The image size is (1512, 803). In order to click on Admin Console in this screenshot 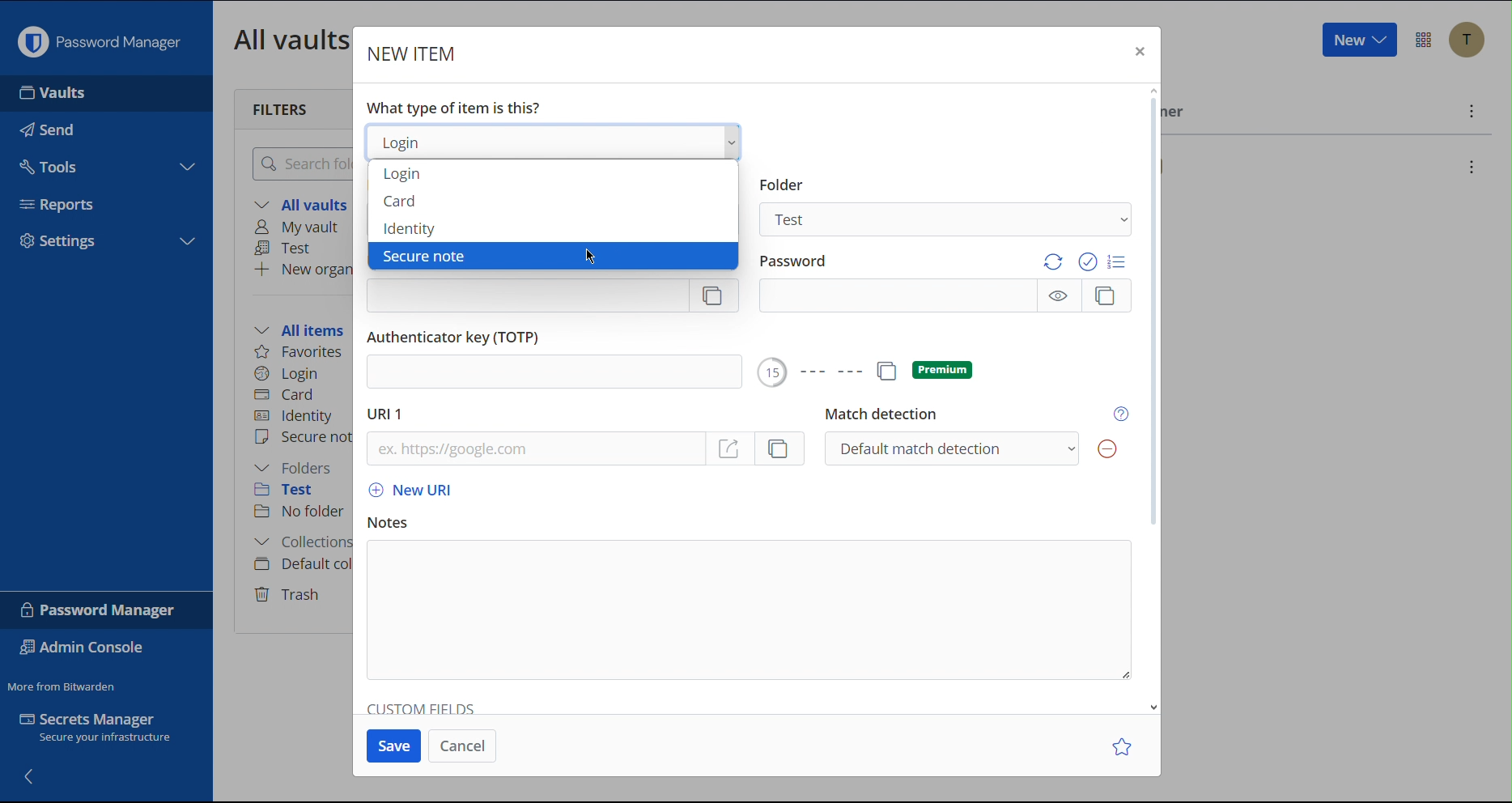, I will do `click(86, 649)`.